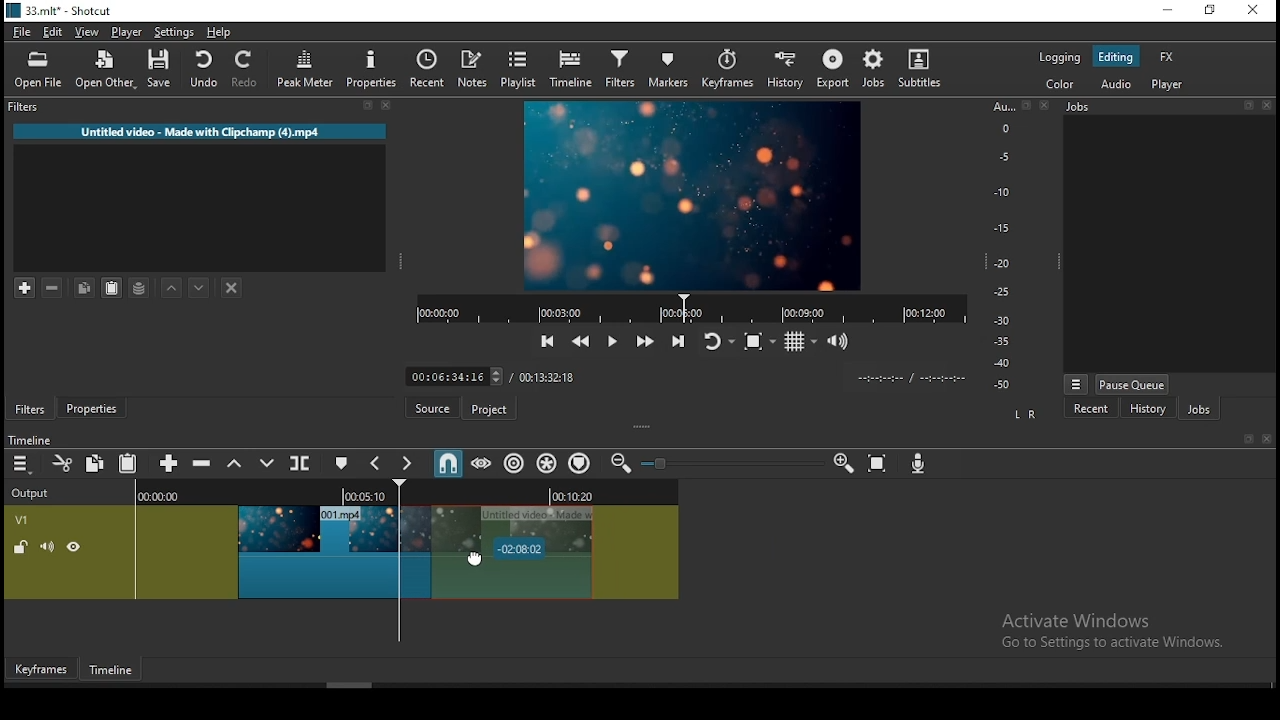  I want to click on split at playhead, so click(302, 465).